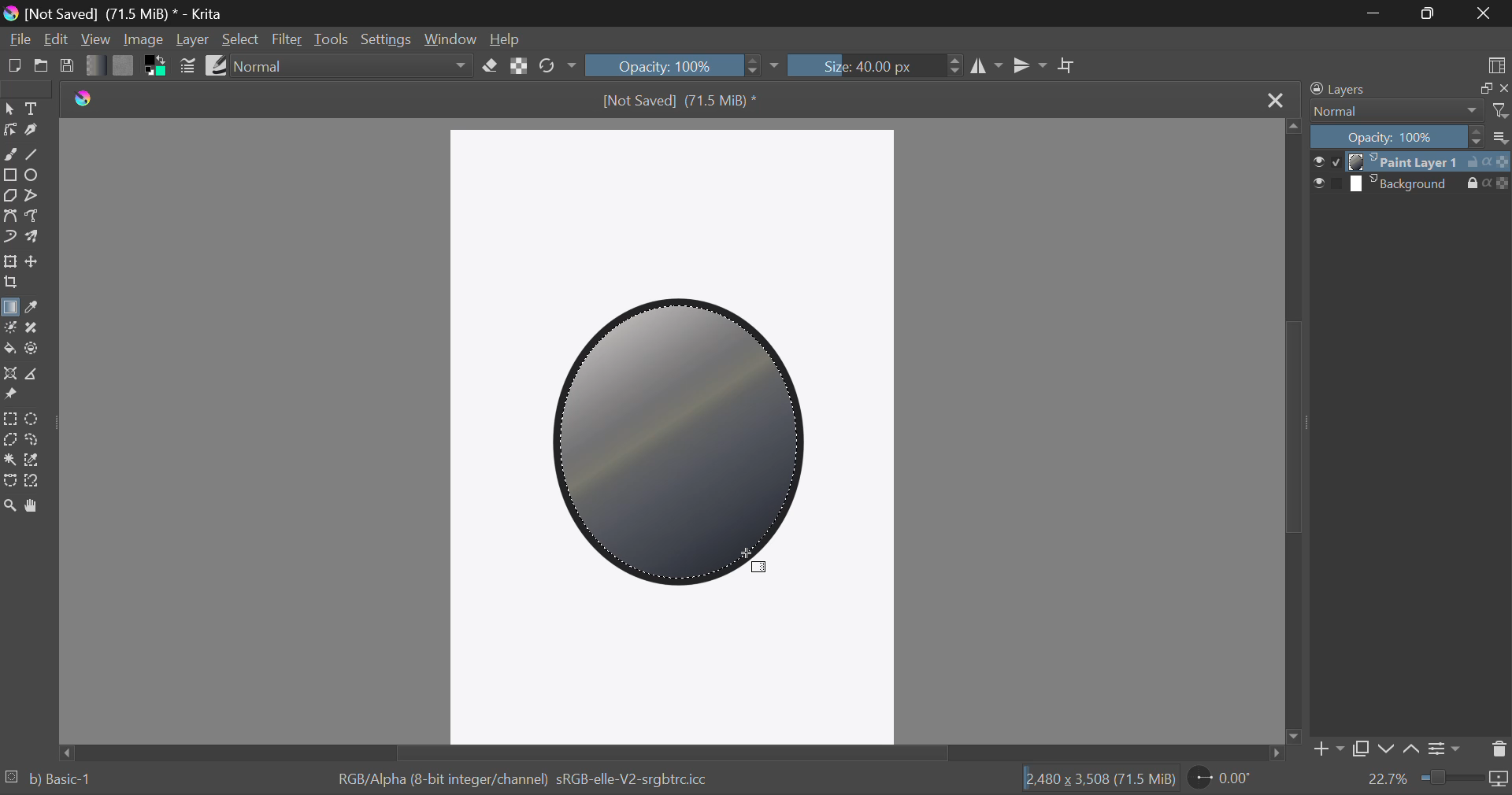 The height and width of the screenshot is (795, 1512). I want to click on Metallic Gradient Applied, so click(675, 440).